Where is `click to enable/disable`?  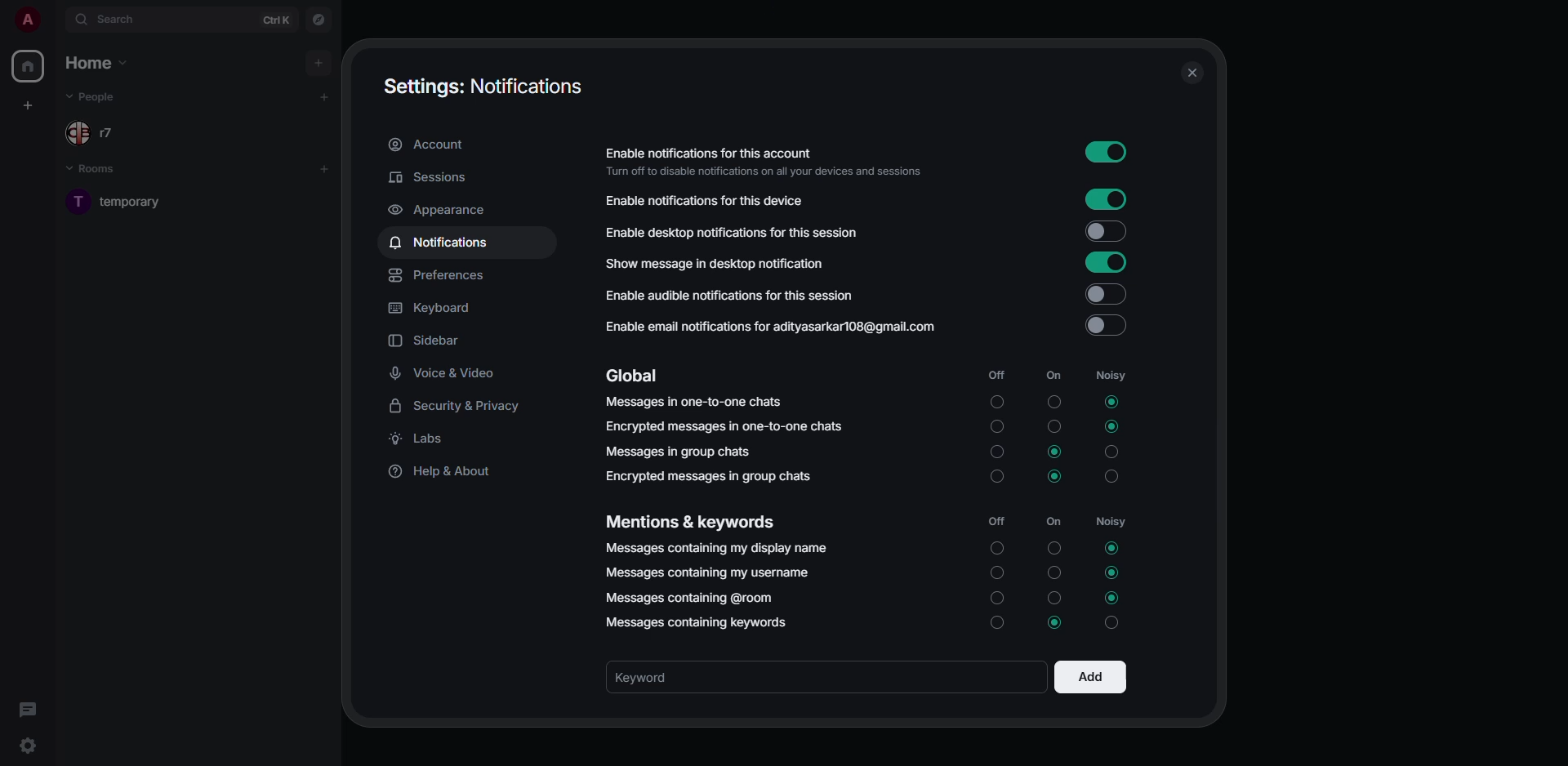
click to enable/disable is located at coordinates (1104, 263).